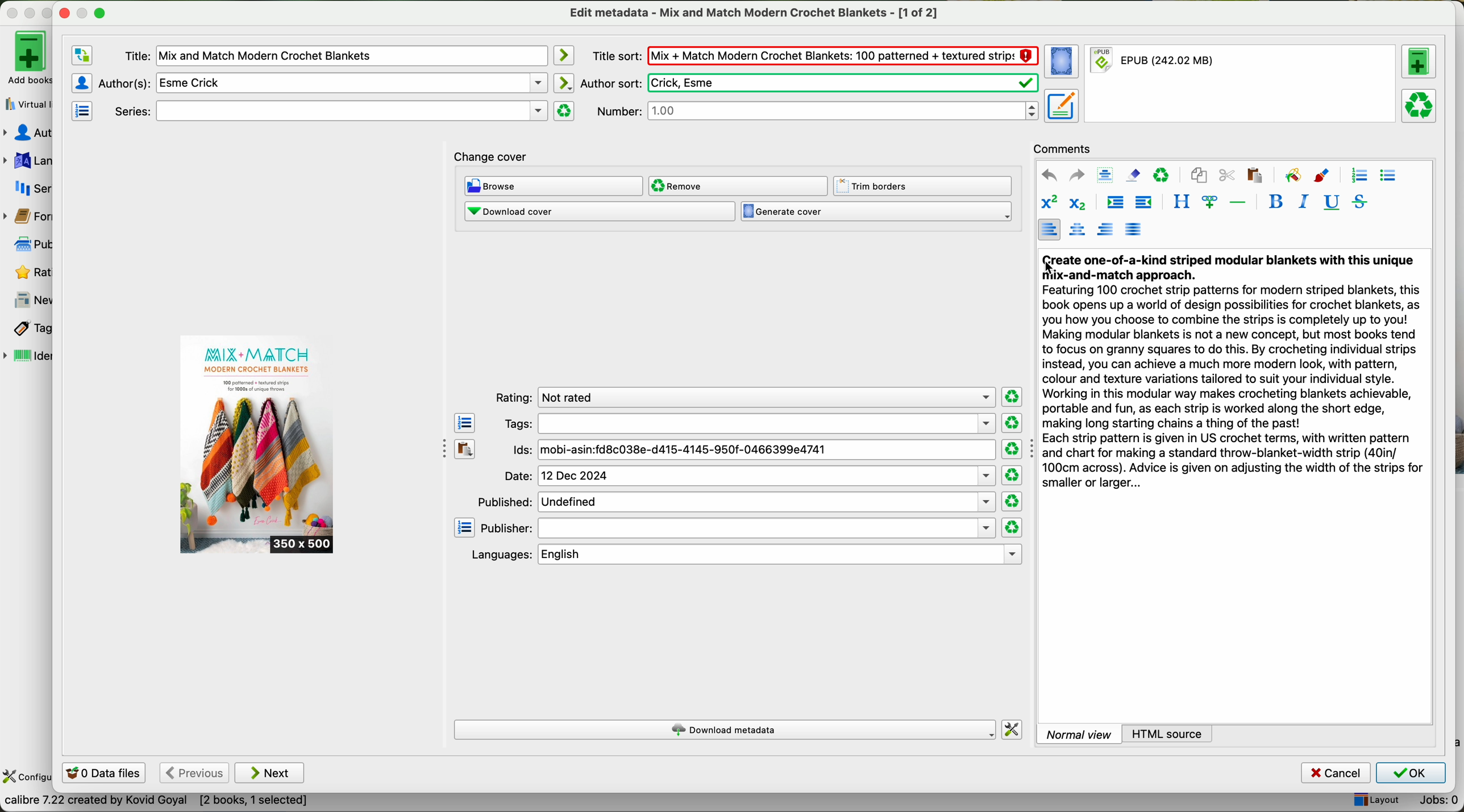 The height and width of the screenshot is (812, 1464). What do you see at coordinates (1063, 62) in the screenshot?
I see `set the cover for the book` at bounding box center [1063, 62].